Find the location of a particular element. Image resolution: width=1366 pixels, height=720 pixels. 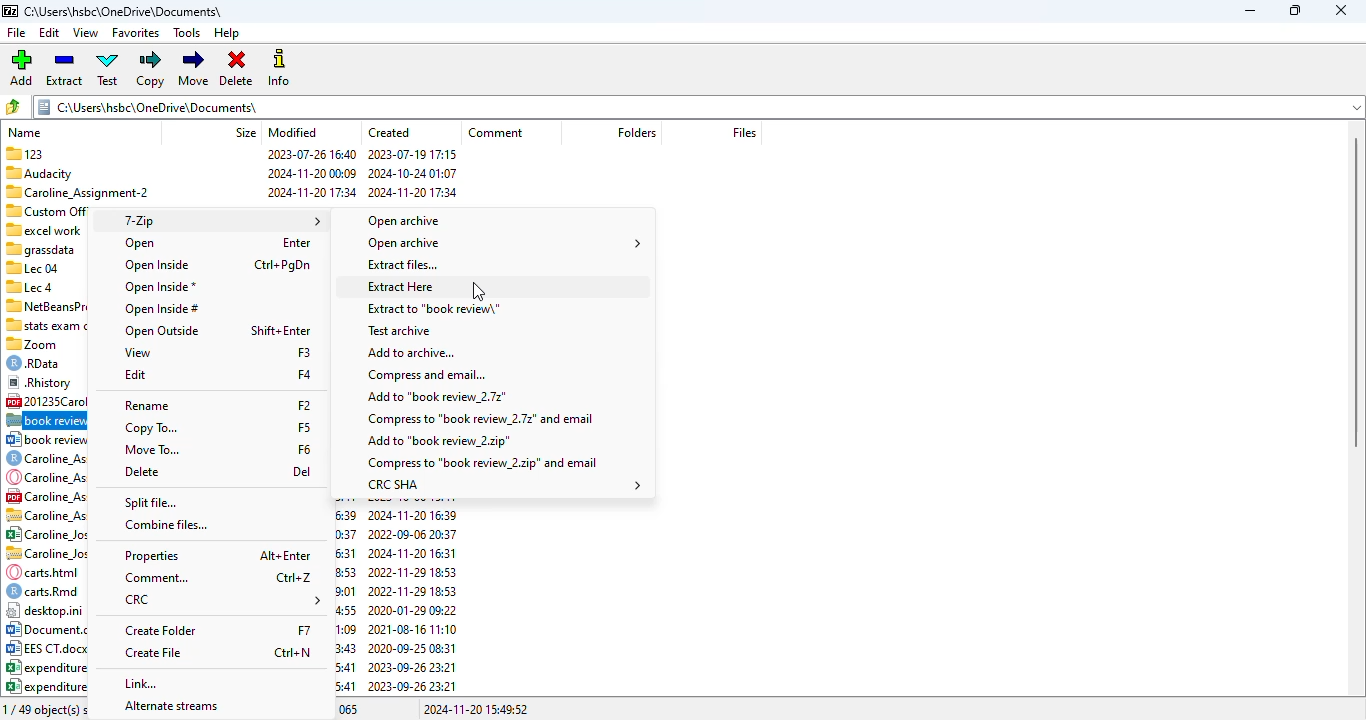

delete is located at coordinates (142, 471).